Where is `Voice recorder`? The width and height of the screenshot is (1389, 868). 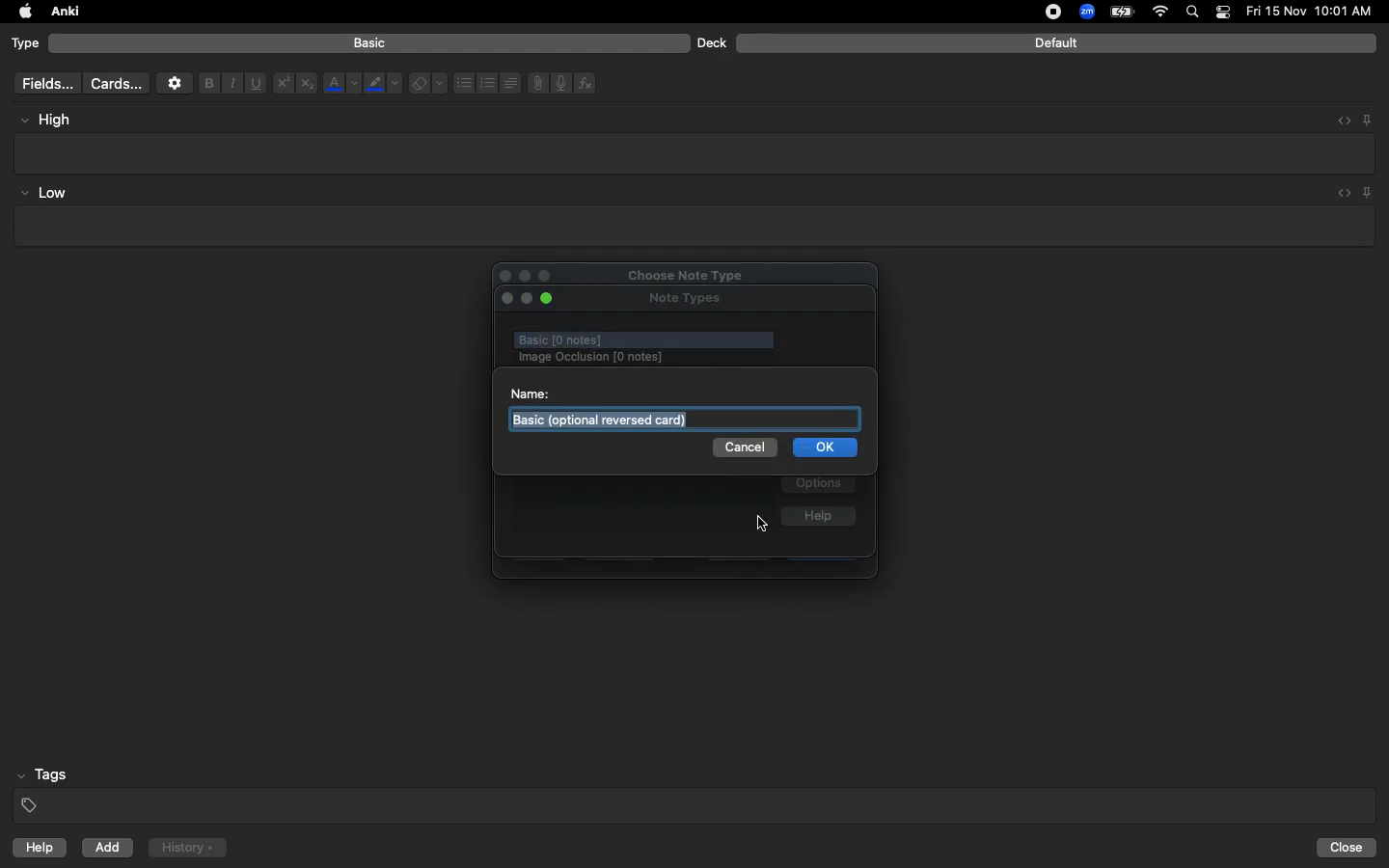
Voice recorder is located at coordinates (559, 81).